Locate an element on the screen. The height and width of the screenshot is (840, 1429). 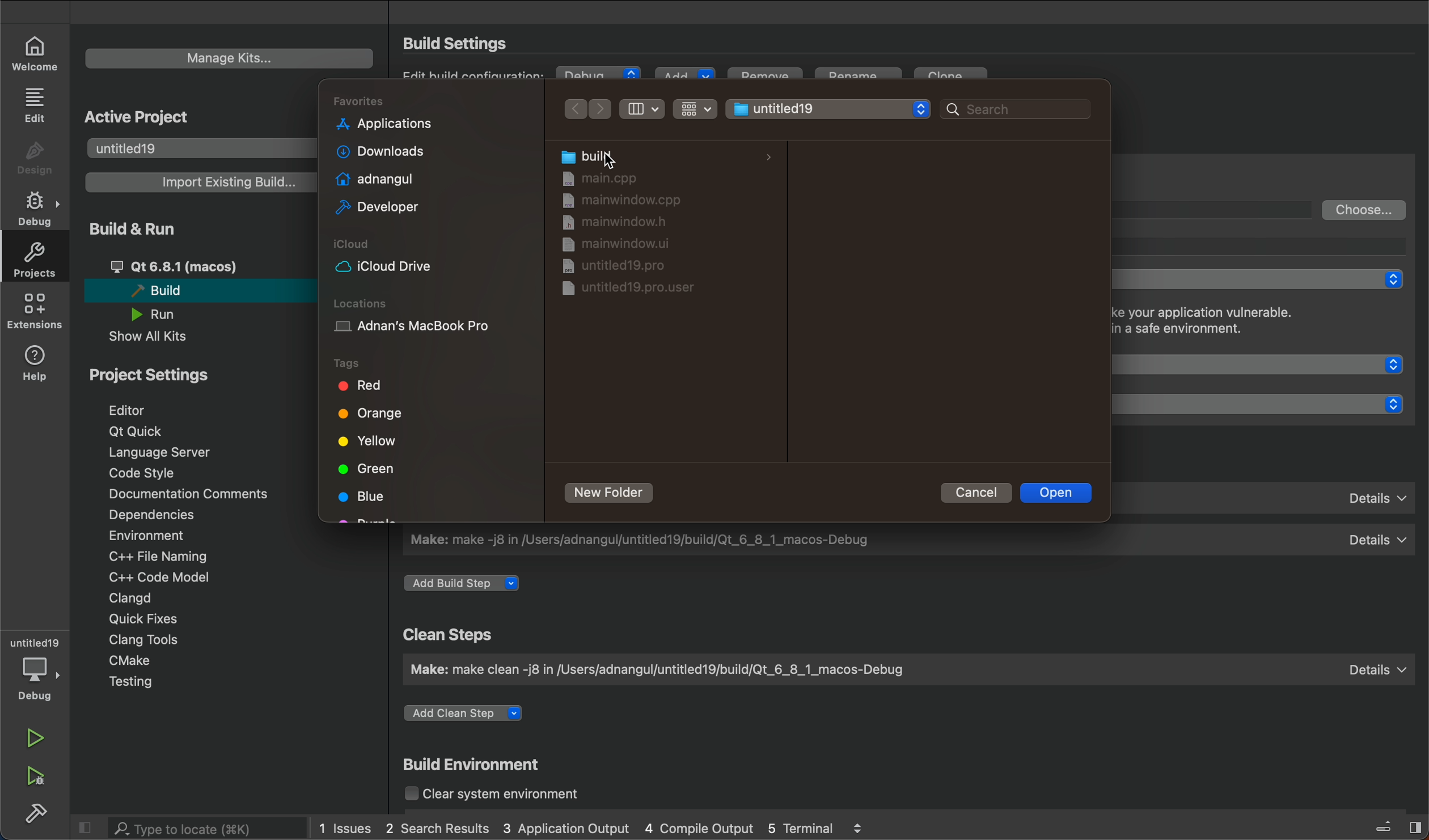
applications is located at coordinates (384, 124).